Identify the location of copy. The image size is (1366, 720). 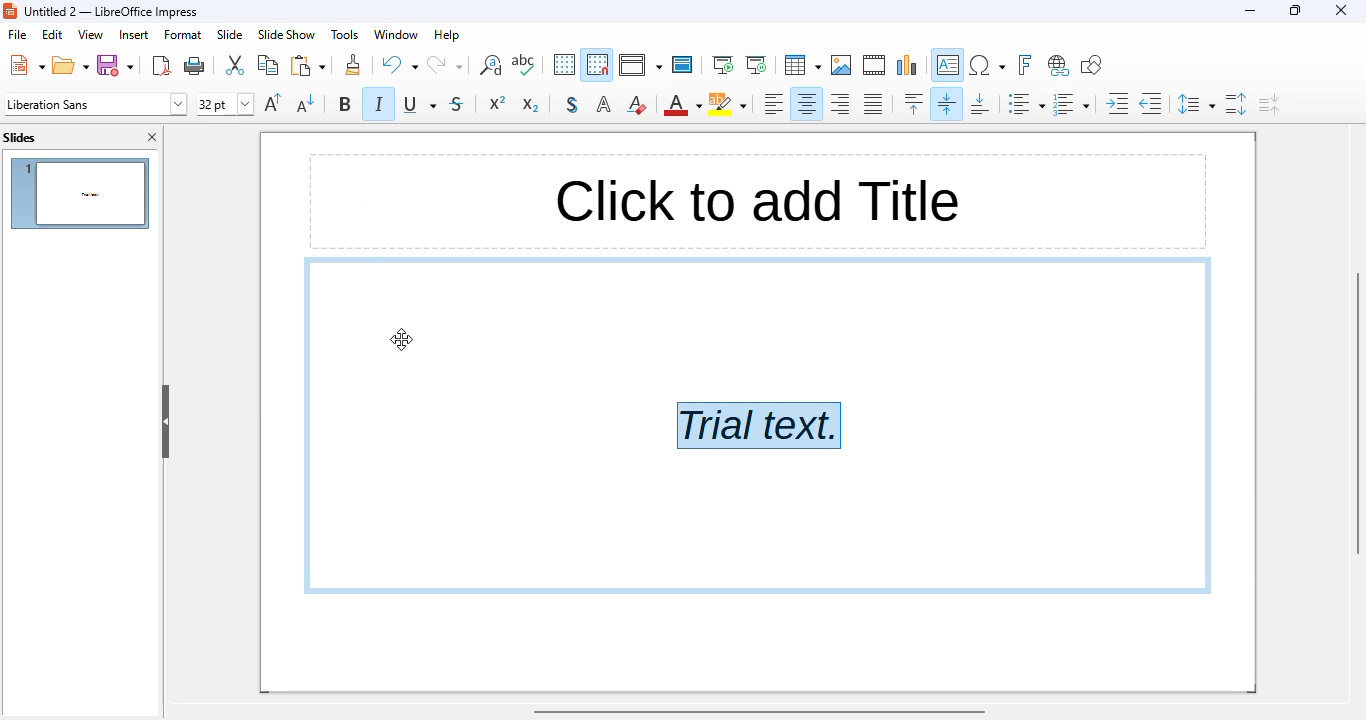
(268, 65).